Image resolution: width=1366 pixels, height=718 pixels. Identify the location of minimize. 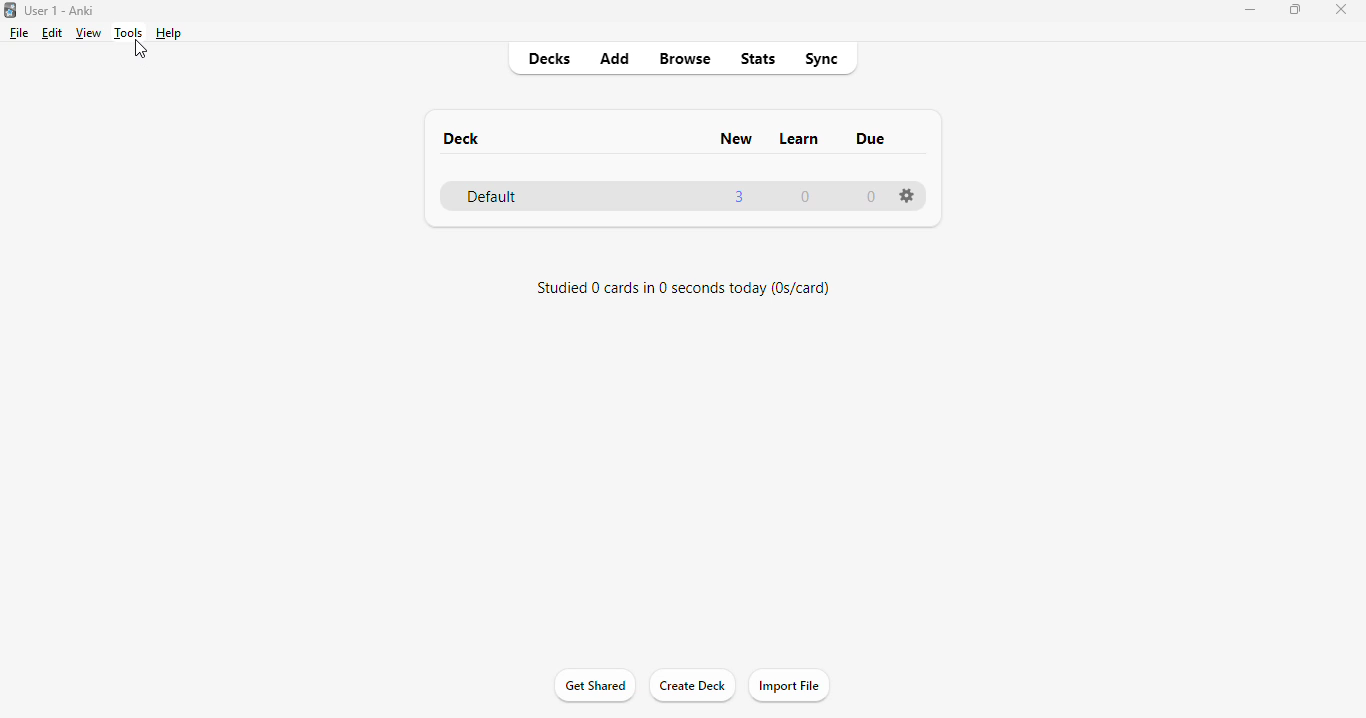
(1252, 10).